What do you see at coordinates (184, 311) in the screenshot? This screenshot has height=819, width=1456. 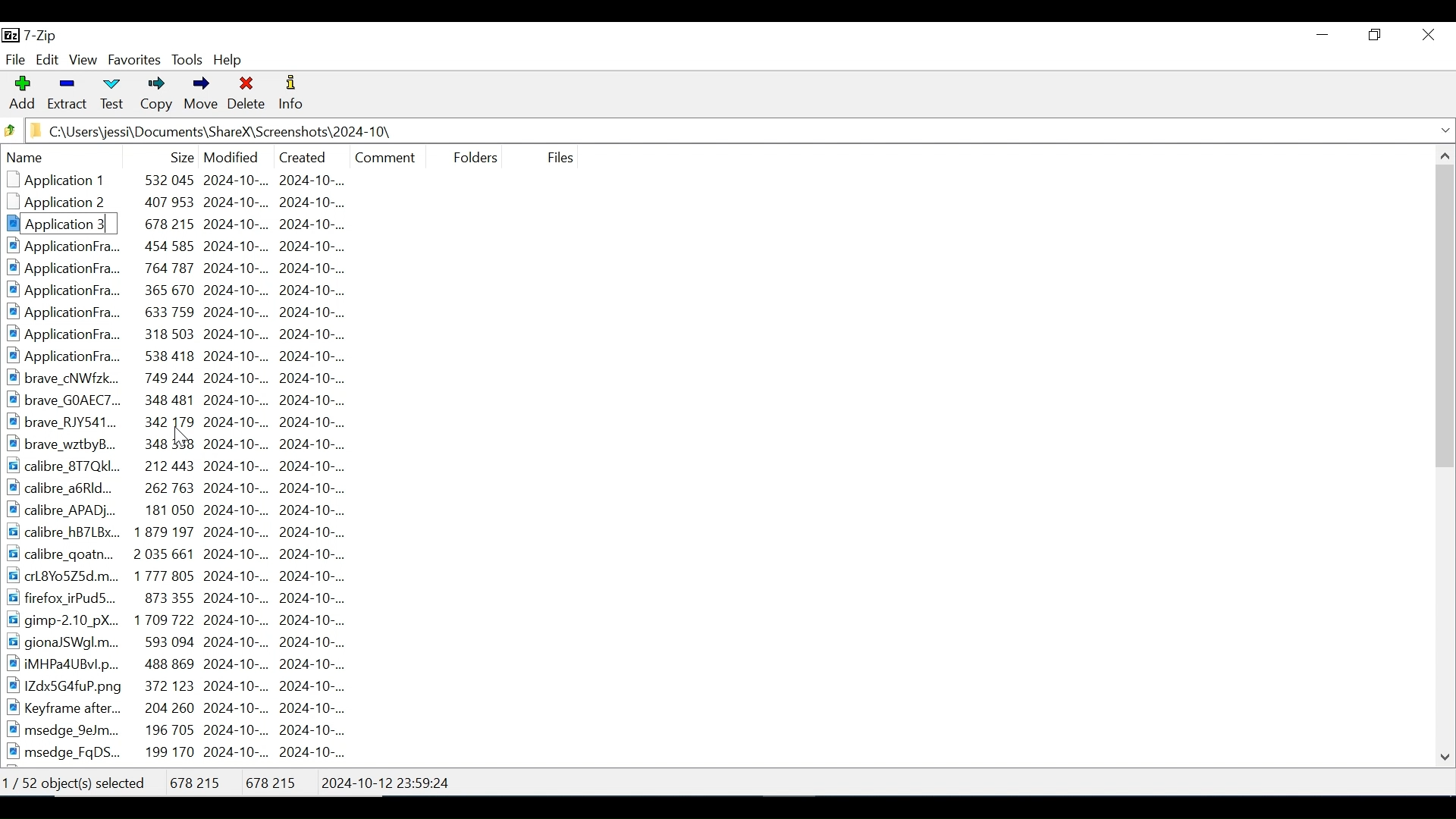 I see `ApplicationFra... 633759 2024-10-... 2024-10-..` at bounding box center [184, 311].